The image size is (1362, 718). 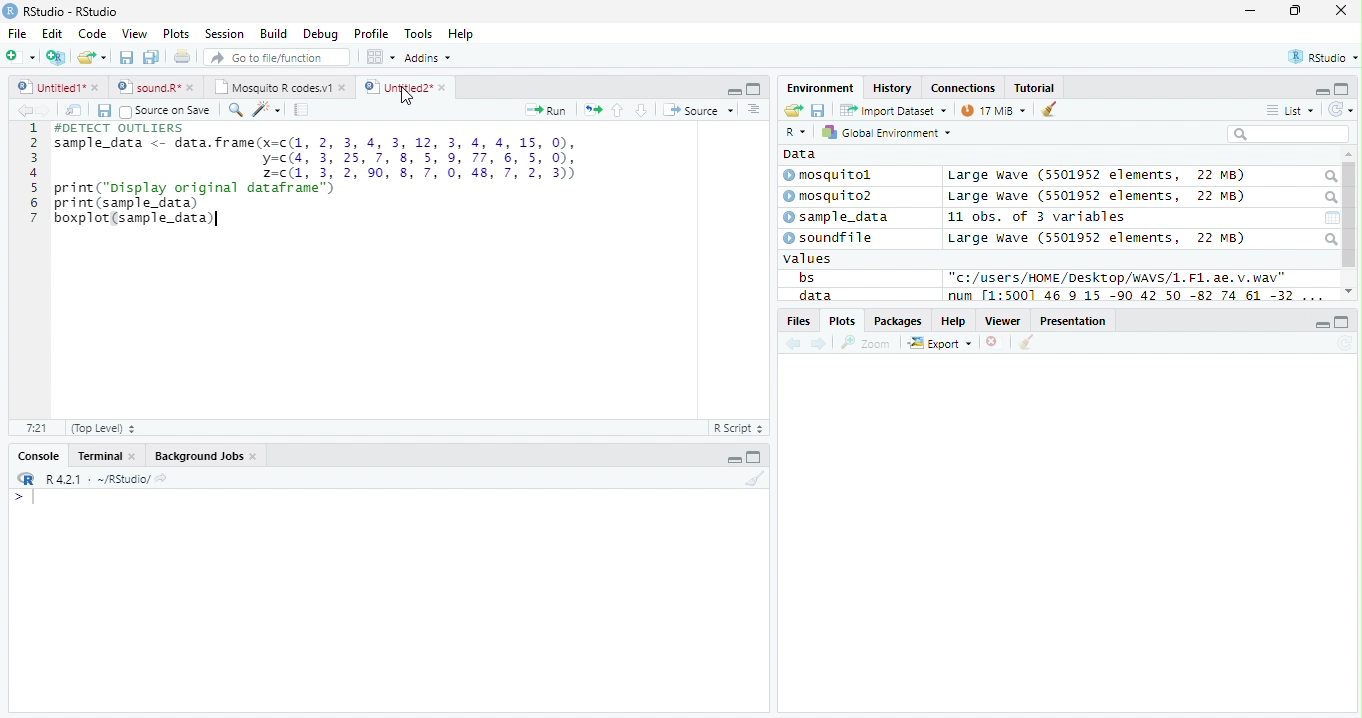 I want to click on Full screen, so click(x=753, y=89).